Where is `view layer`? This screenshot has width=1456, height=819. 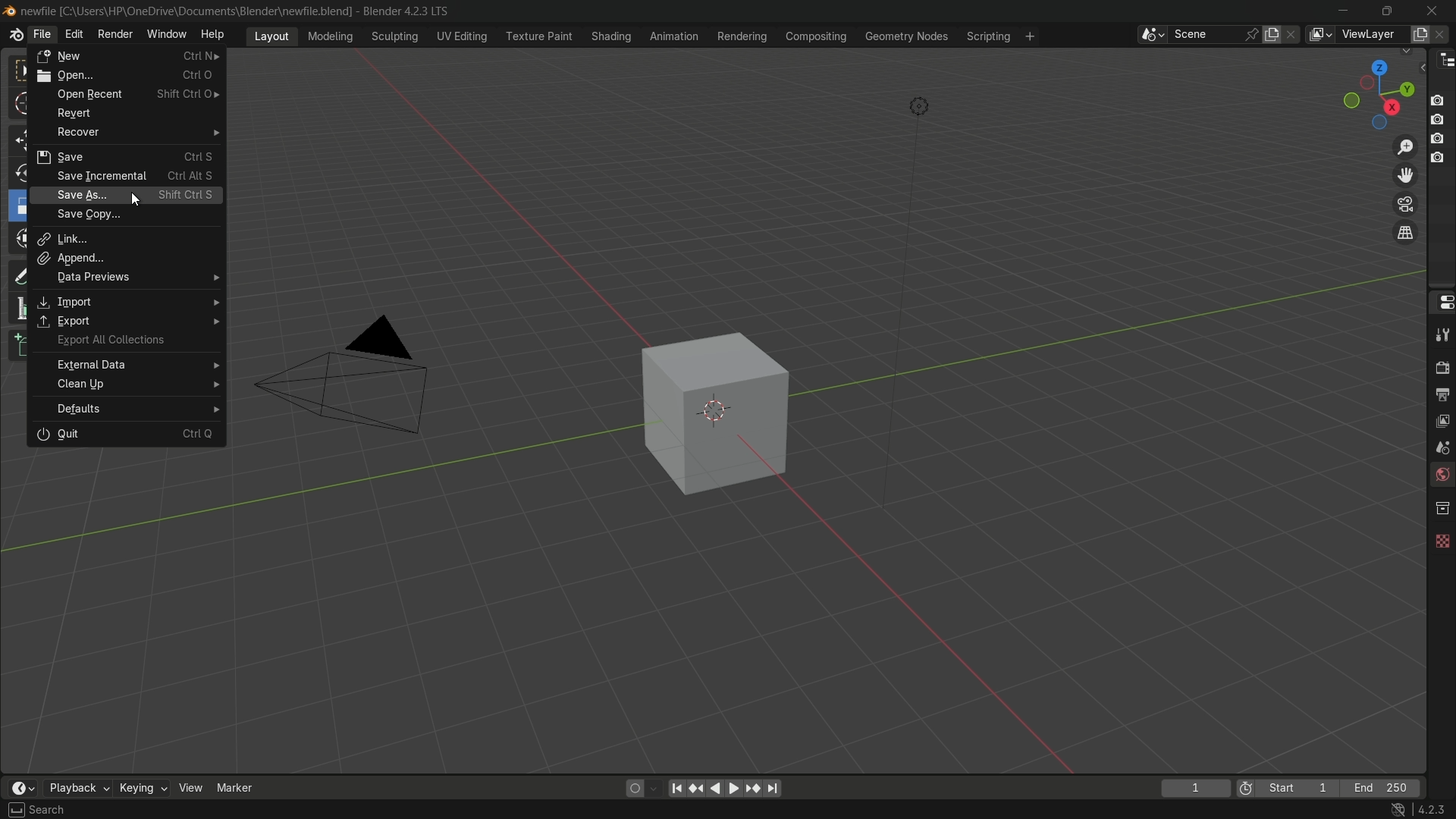
view layer is located at coordinates (1319, 34).